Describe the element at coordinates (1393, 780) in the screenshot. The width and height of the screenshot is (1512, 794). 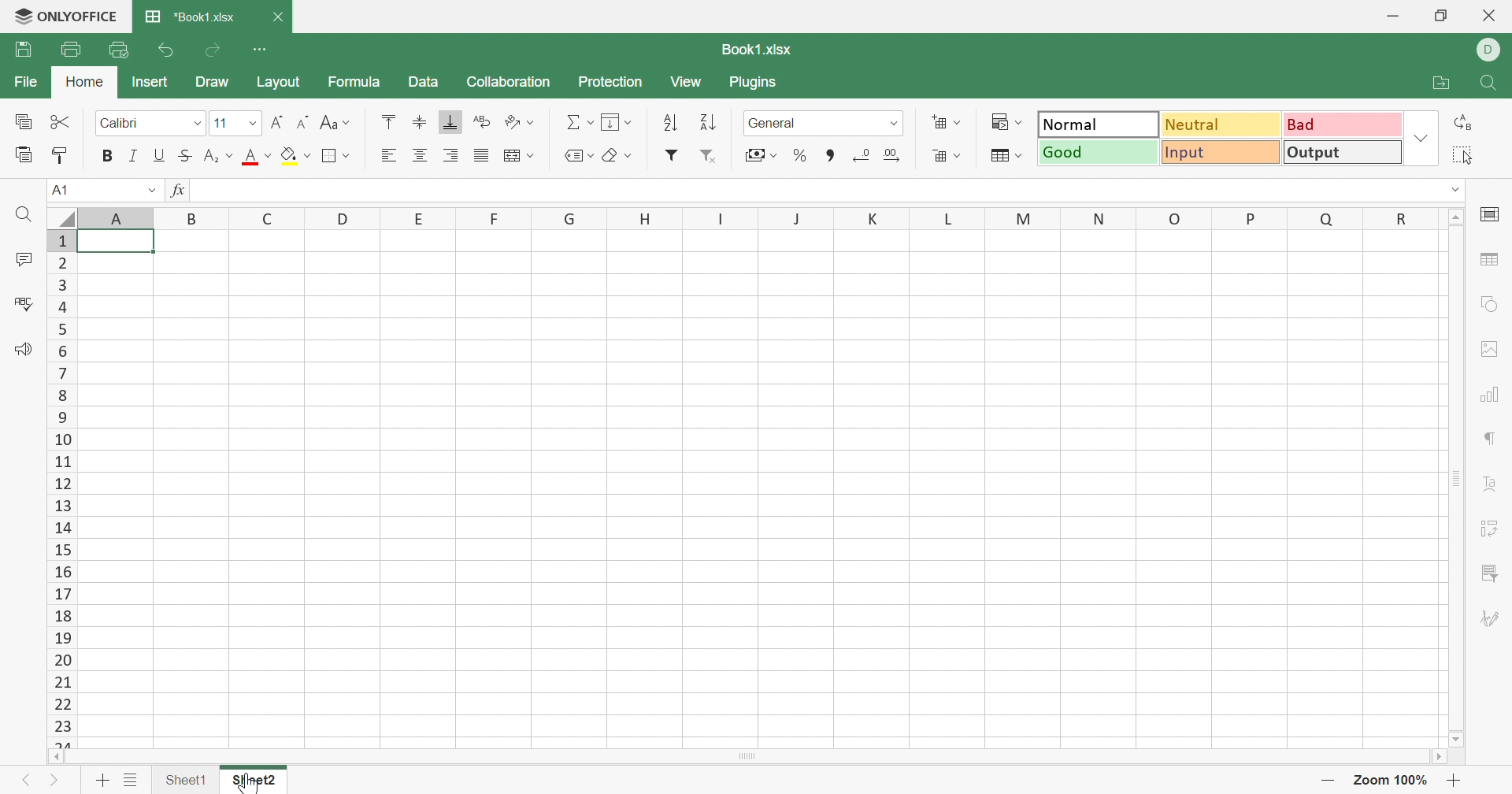
I see `Zoom 100%` at that location.